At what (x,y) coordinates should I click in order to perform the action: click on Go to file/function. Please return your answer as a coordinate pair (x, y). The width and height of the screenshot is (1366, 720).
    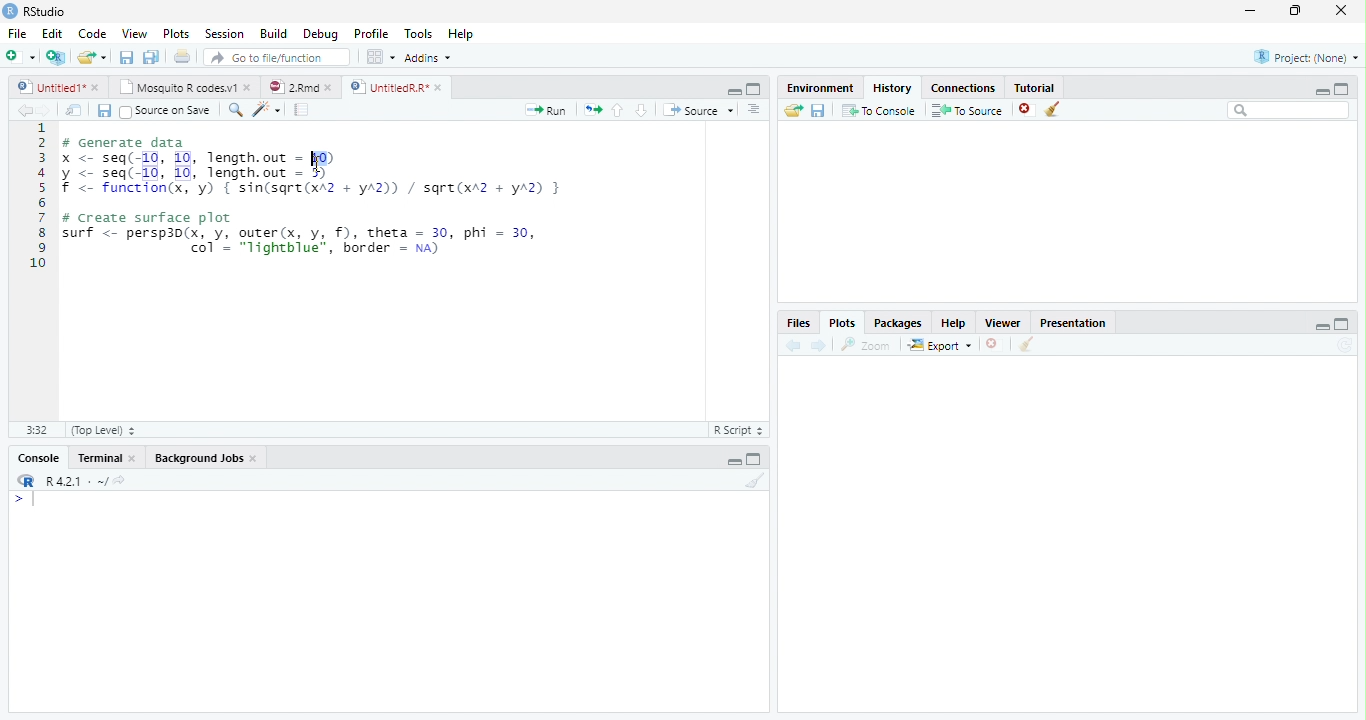
    Looking at the image, I should click on (277, 56).